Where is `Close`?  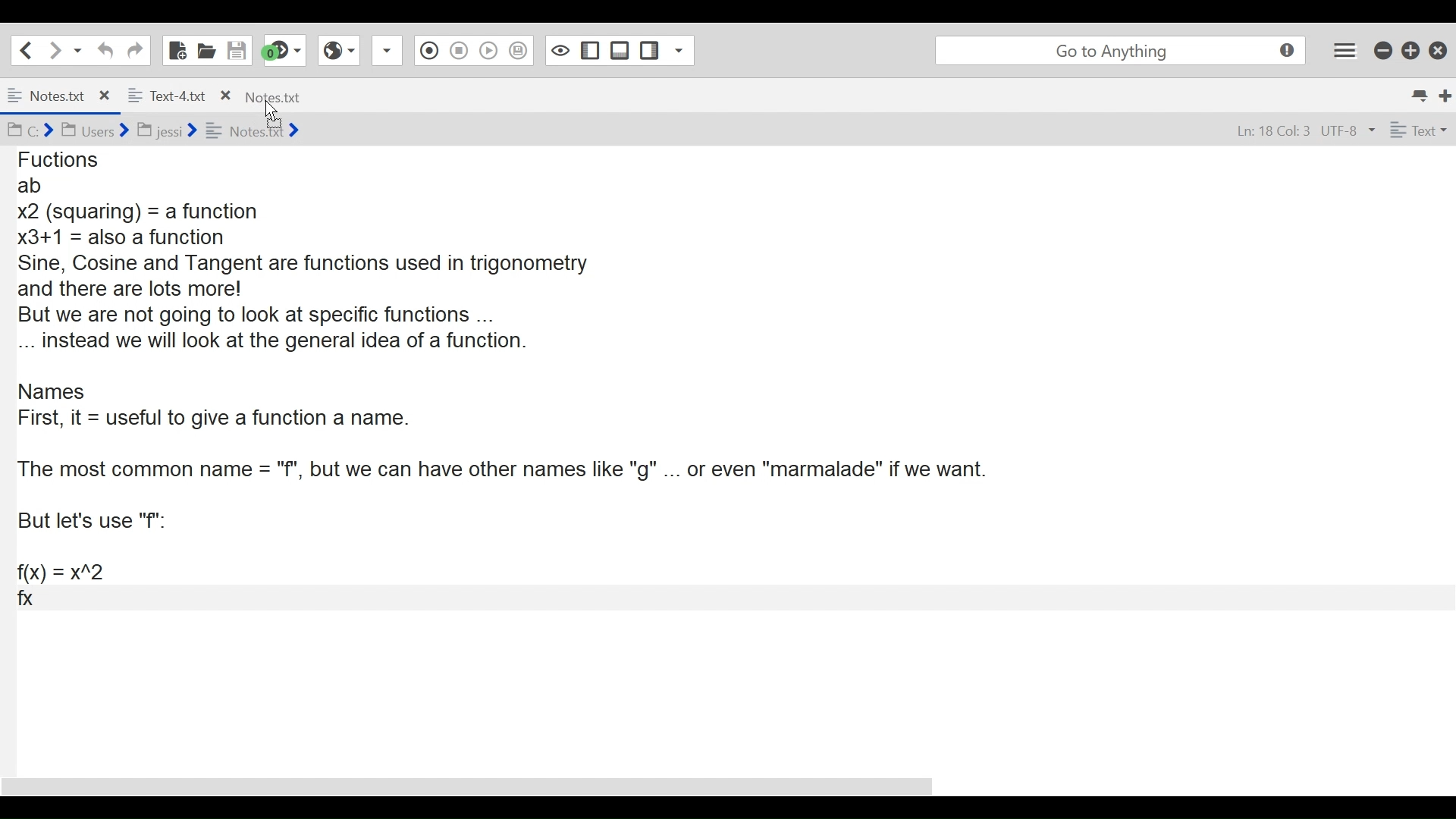
Close is located at coordinates (1437, 49).